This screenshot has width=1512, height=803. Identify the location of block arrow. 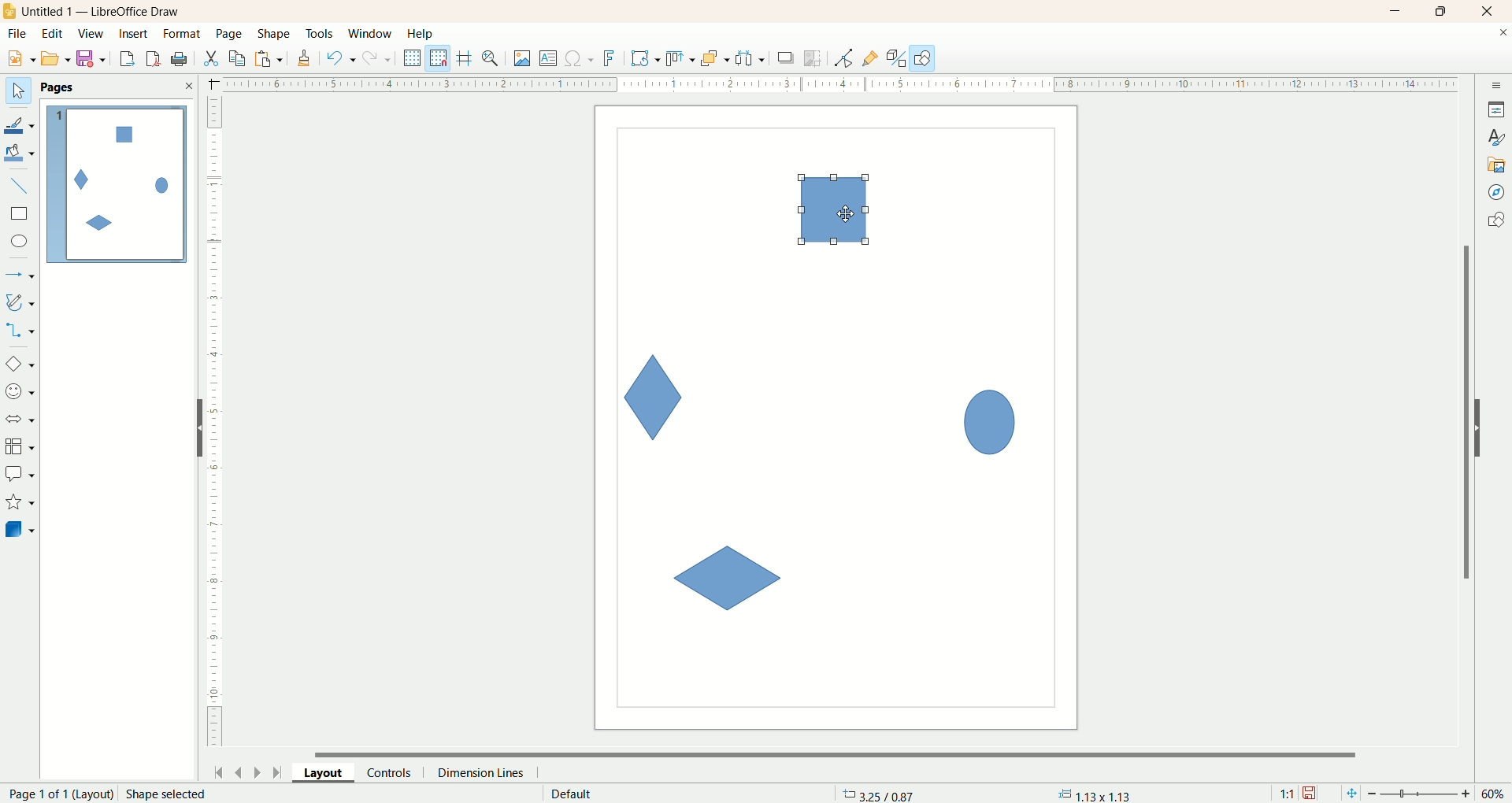
(23, 420).